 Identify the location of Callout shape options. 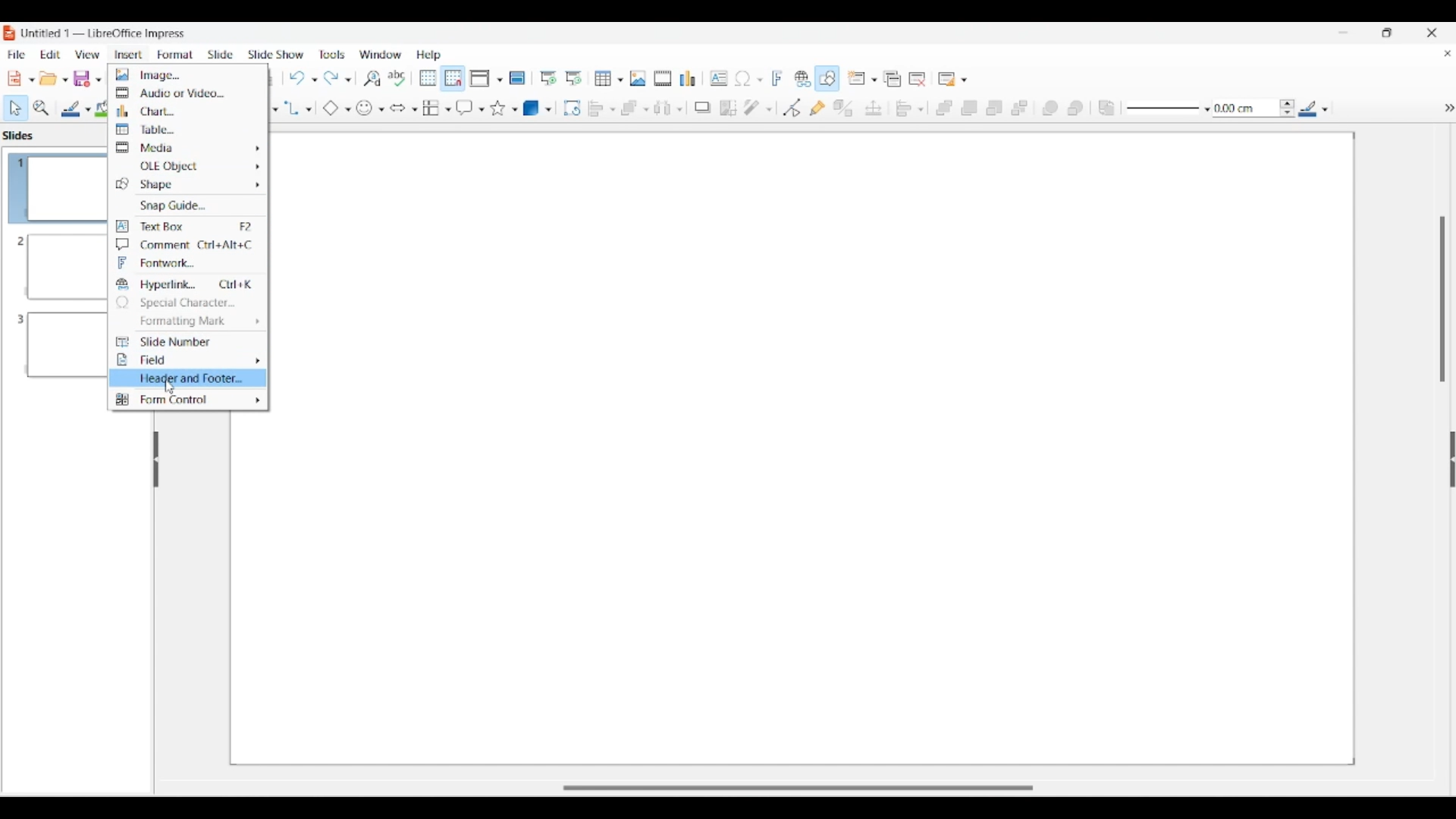
(470, 108).